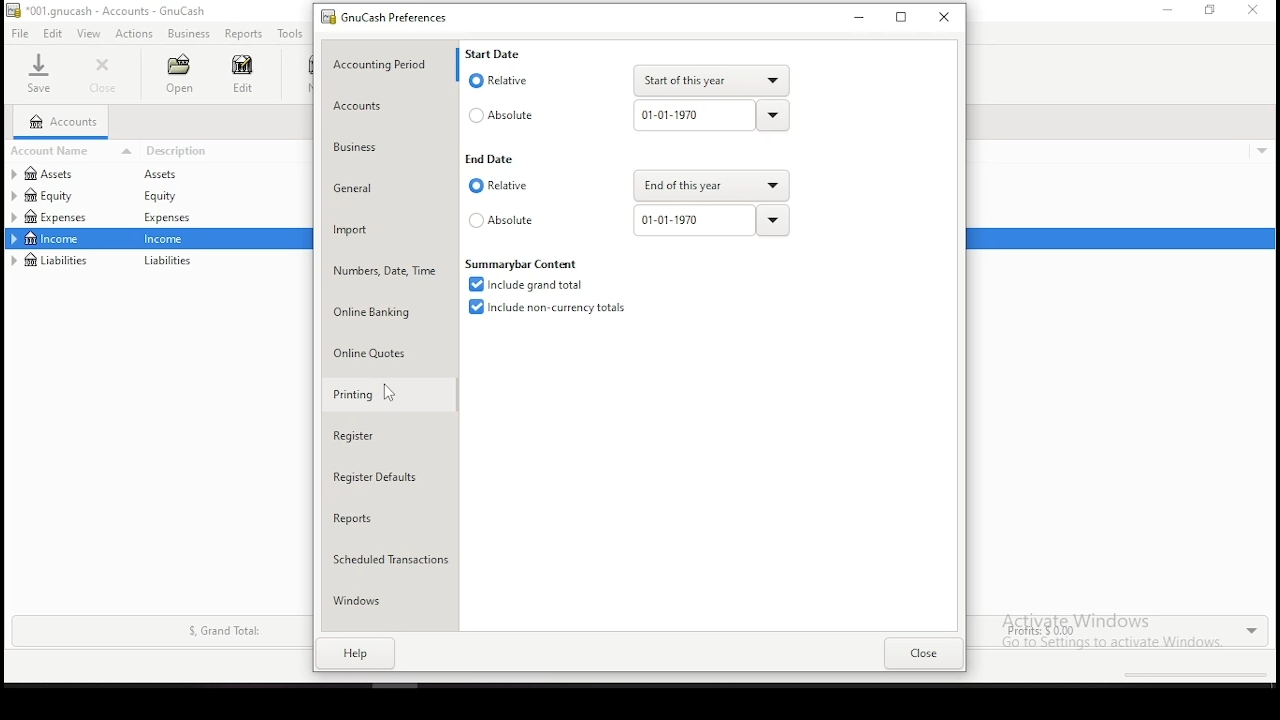 The image size is (1280, 720). Describe the element at coordinates (372, 103) in the screenshot. I see `accounts` at that location.